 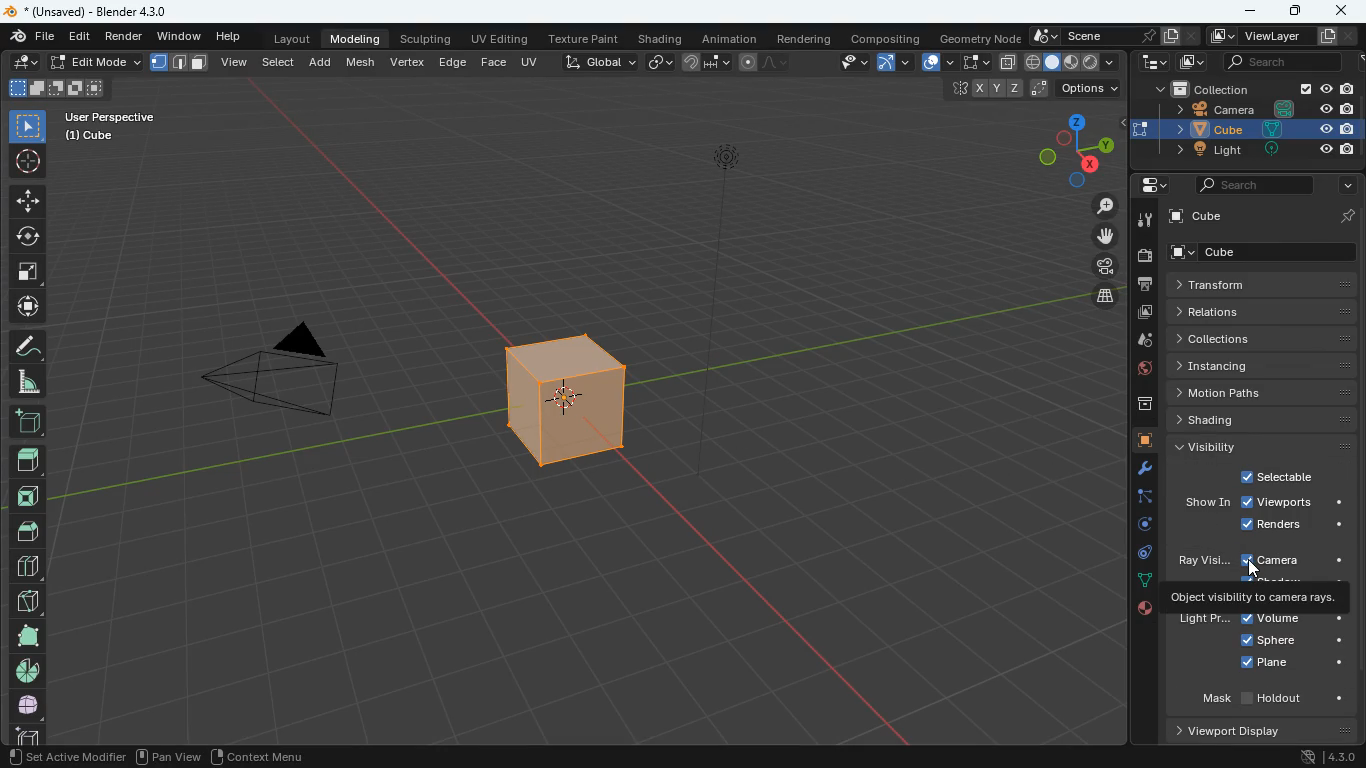 I want to click on shading, so click(x=660, y=39).